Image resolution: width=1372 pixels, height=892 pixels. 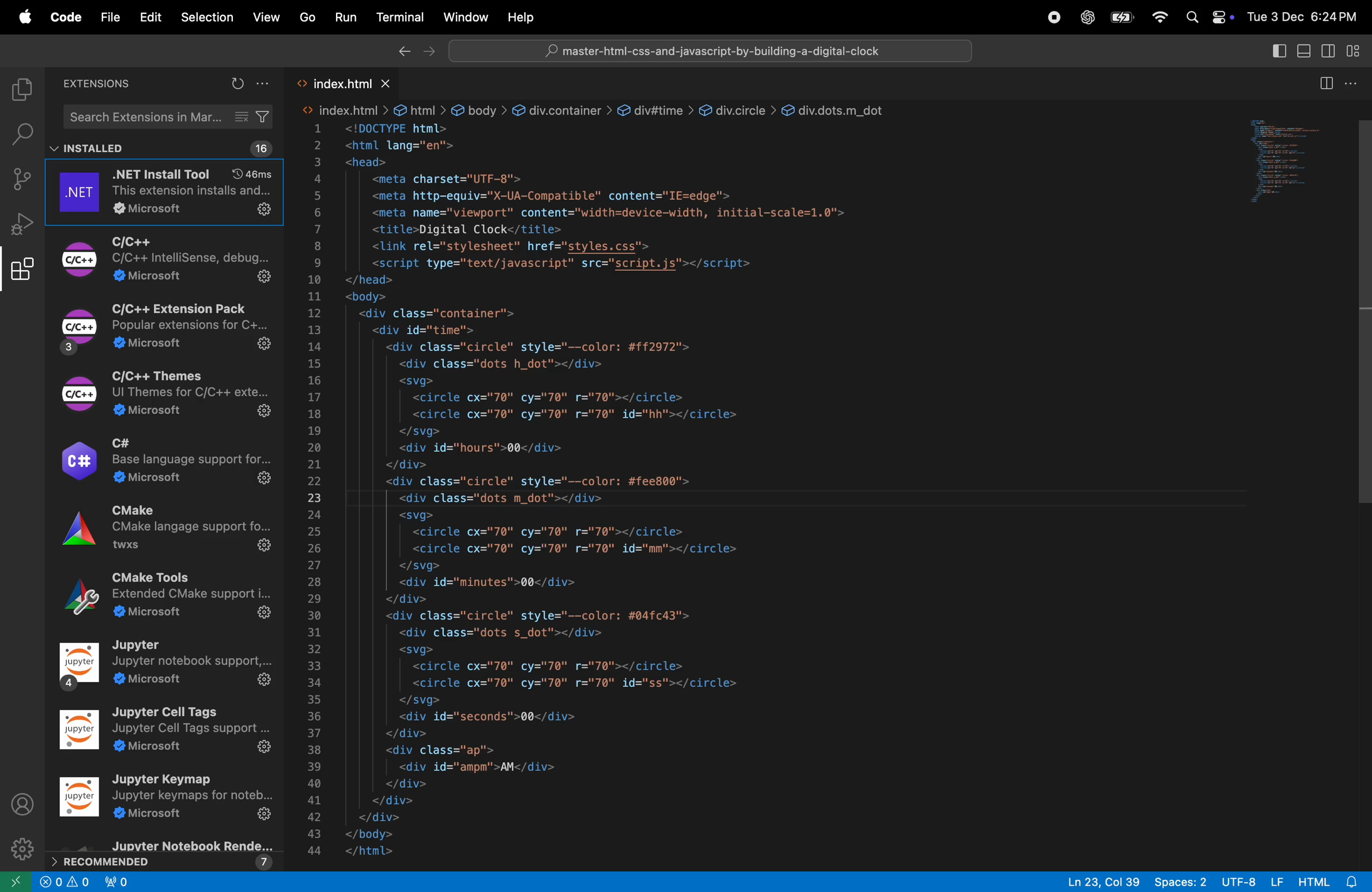 I want to click on run debug, so click(x=19, y=225).